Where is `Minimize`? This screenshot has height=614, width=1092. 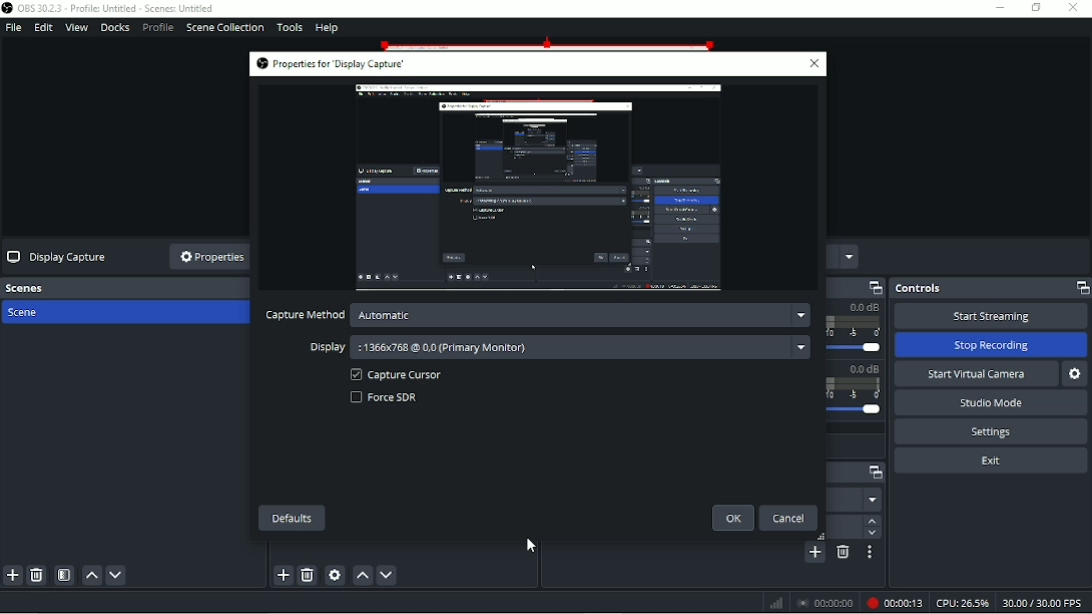 Minimize is located at coordinates (1001, 7).